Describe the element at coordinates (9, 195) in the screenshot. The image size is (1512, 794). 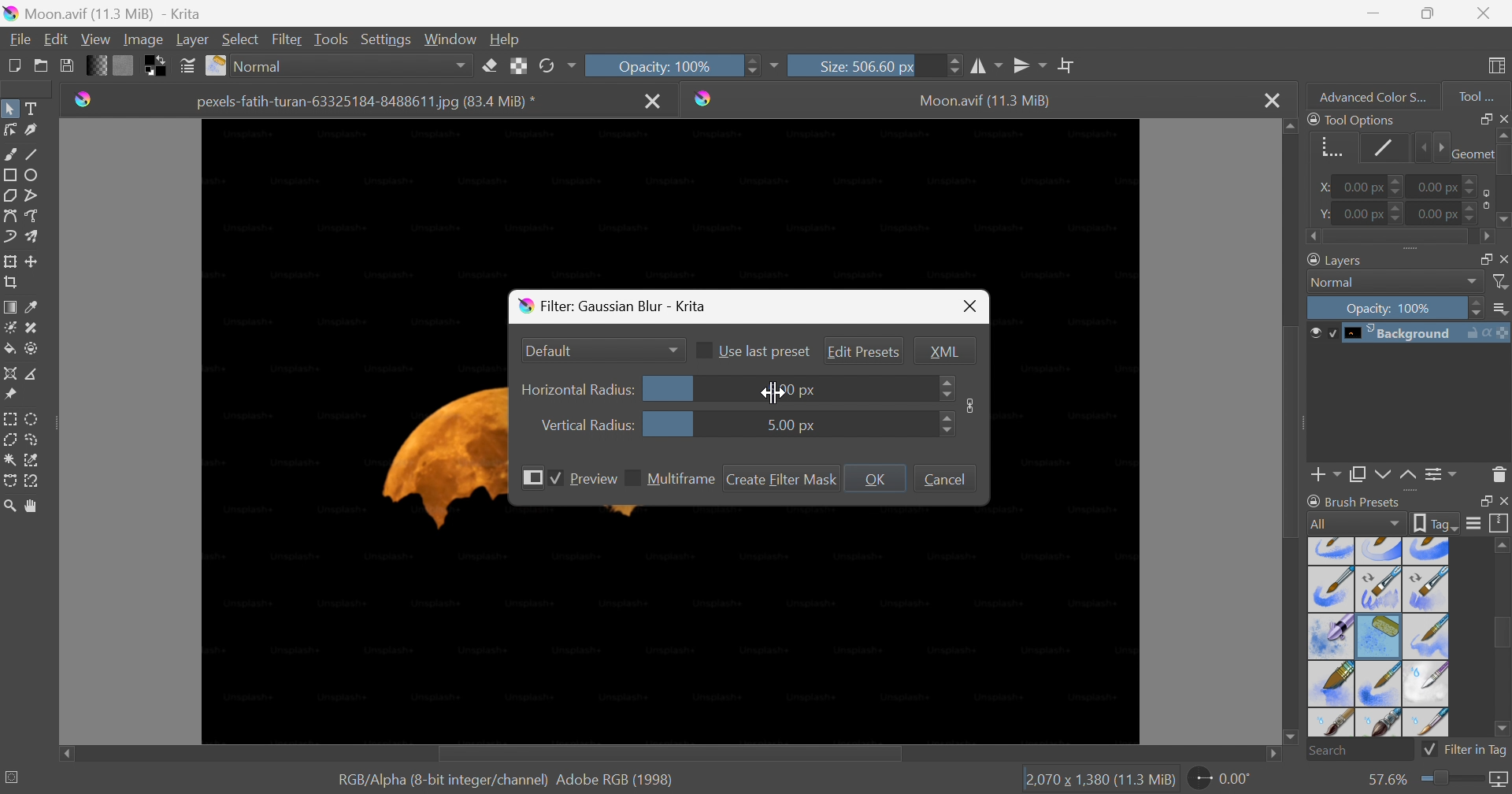
I see `Polygon tool` at that location.